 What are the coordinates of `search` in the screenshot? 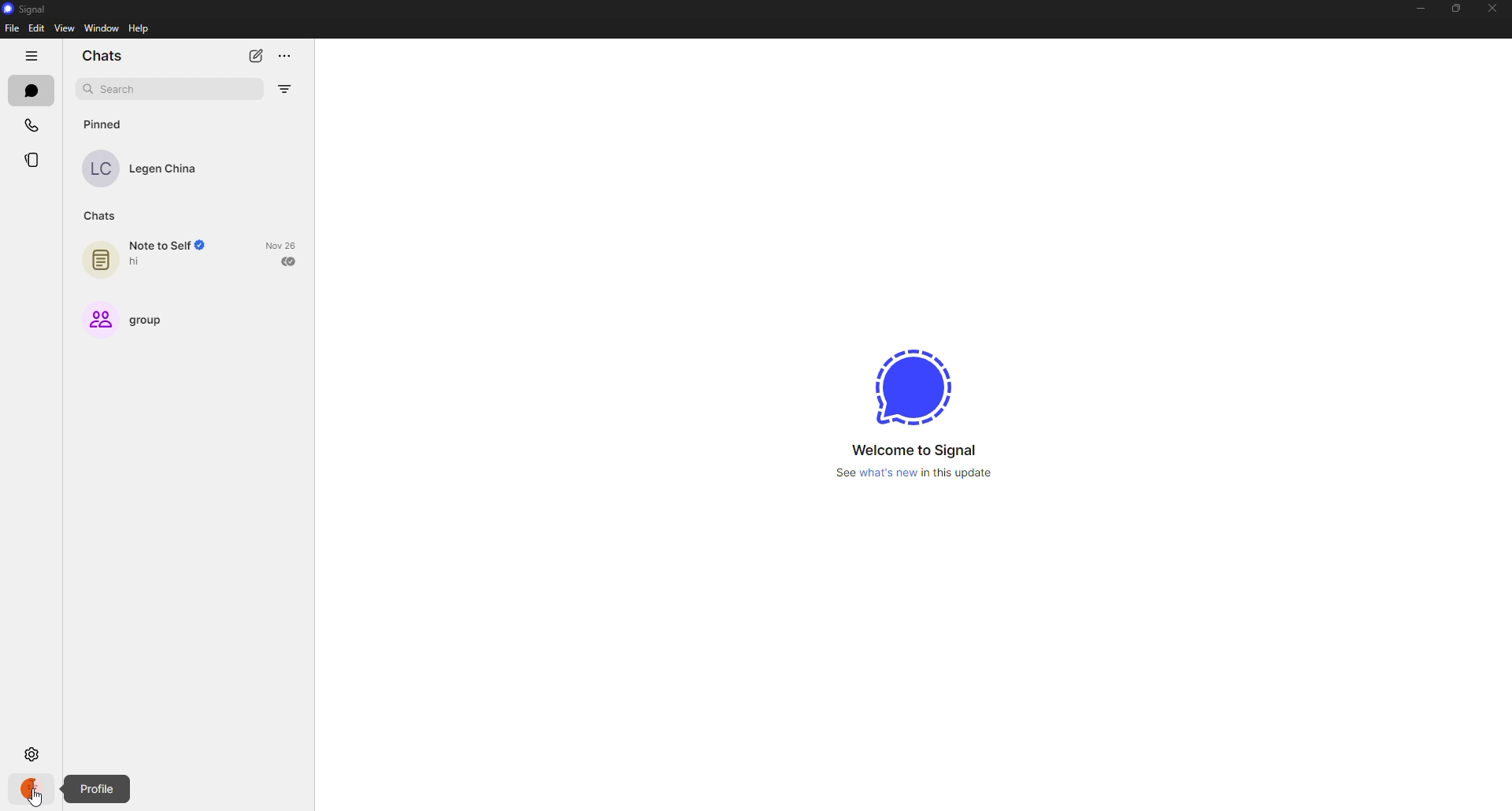 It's located at (123, 90).